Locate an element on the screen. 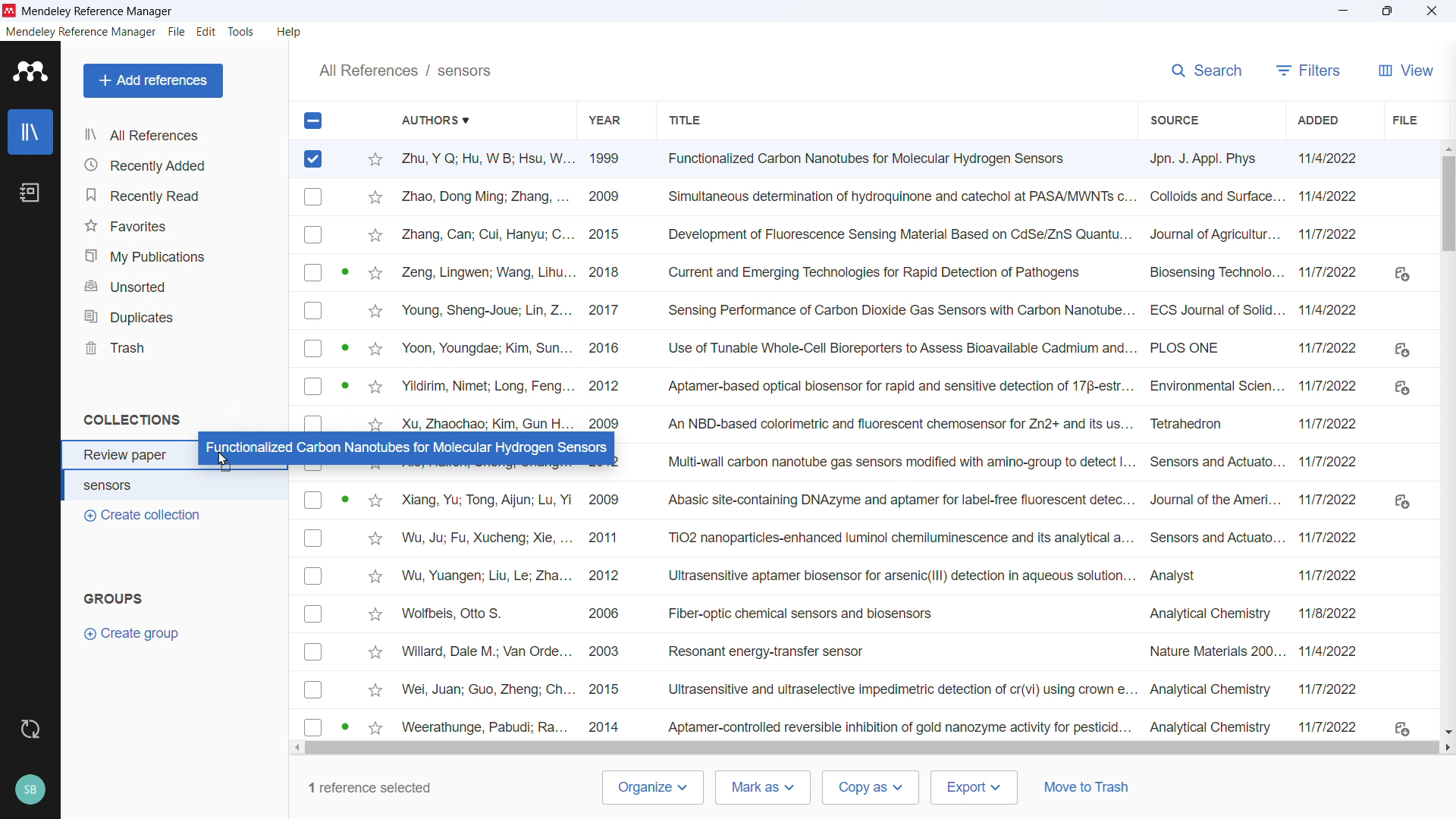  Search  is located at coordinates (1206, 71).